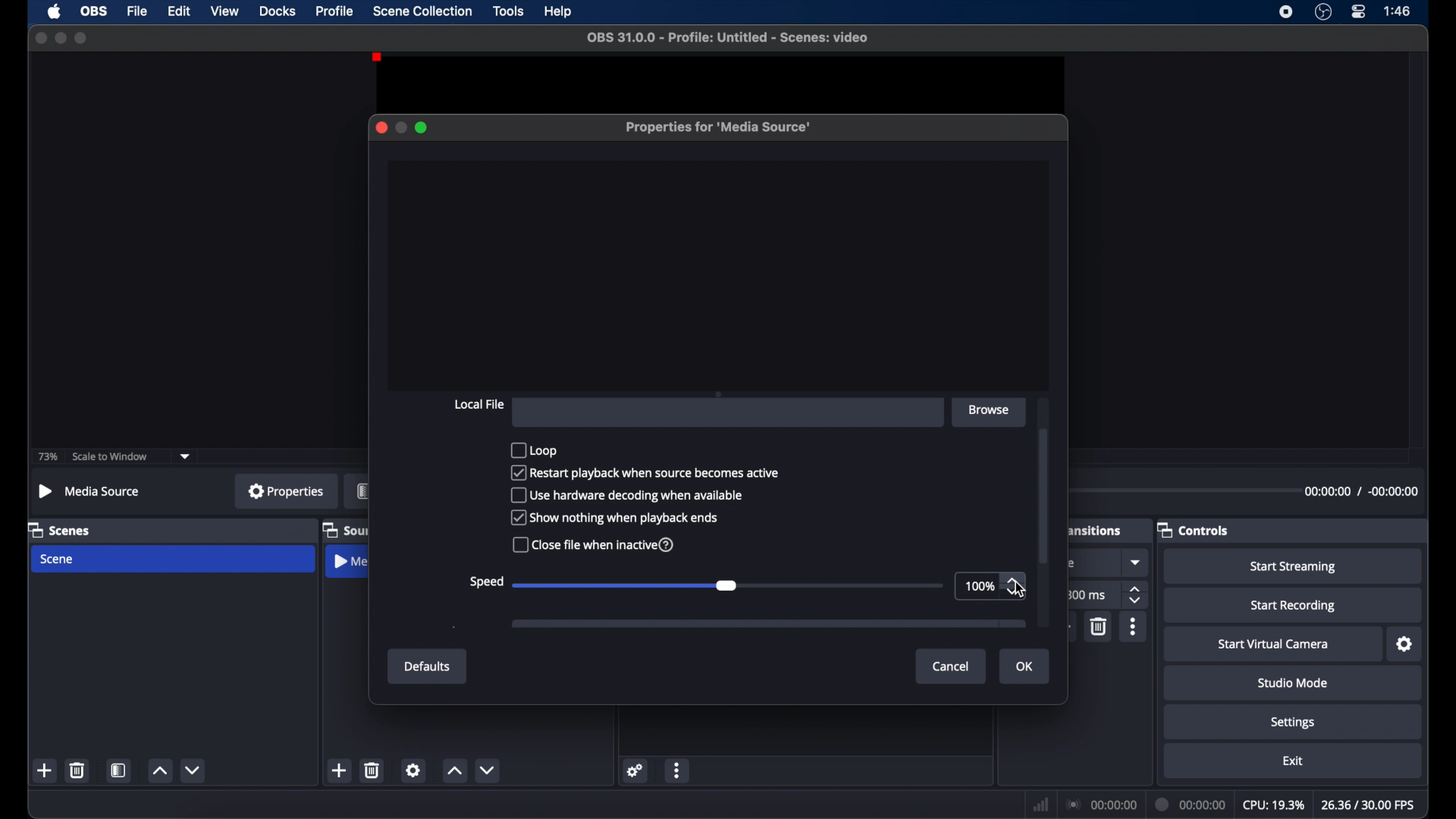  What do you see at coordinates (95, 11) in the screenshot?
I see `obs` at bounding box center [95, 11].